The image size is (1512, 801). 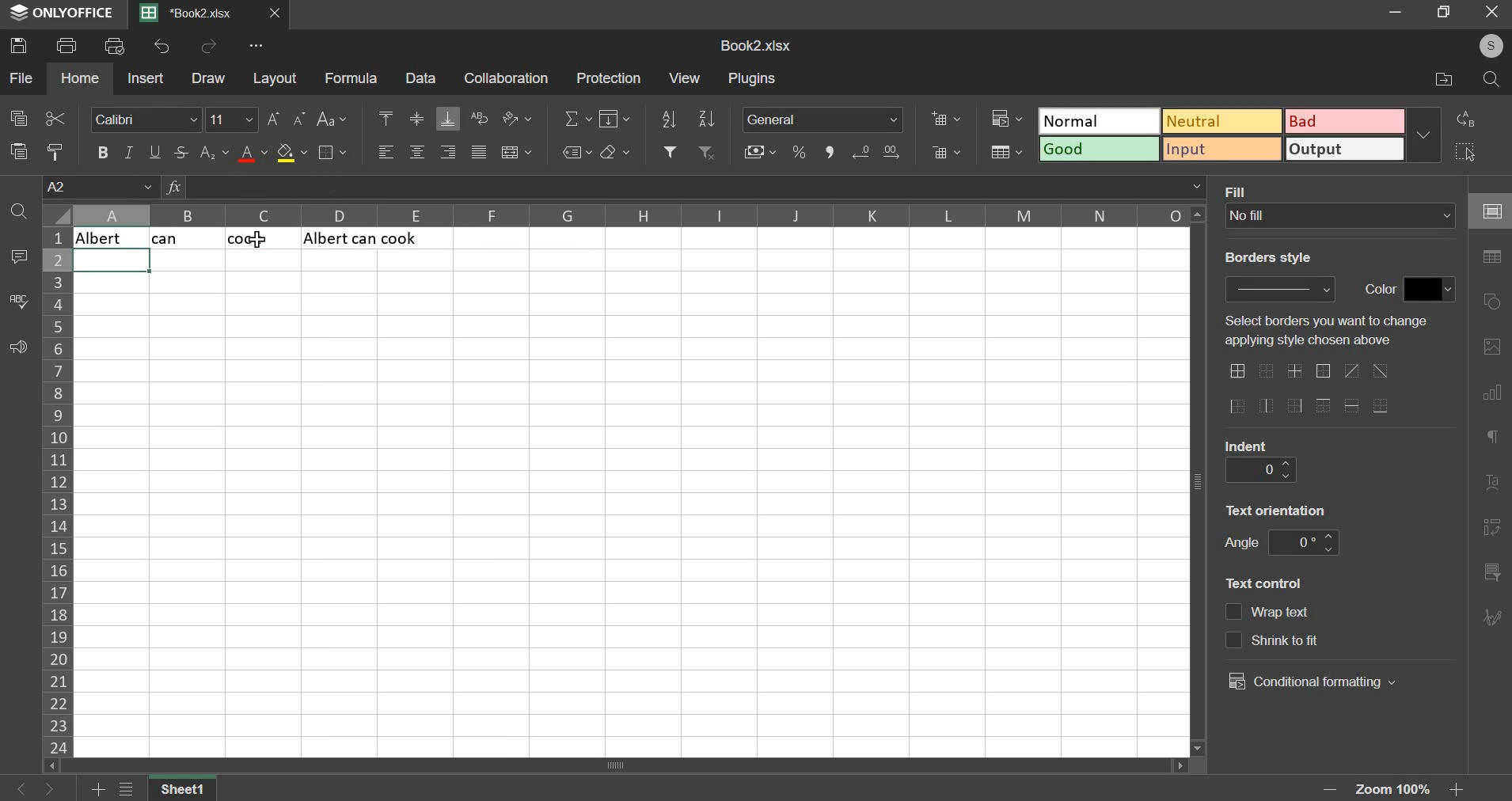 What do you see at coordinates (1005, 120) in the screenshot?
I see `conditional formatting` at bounding box center [1005, 120].